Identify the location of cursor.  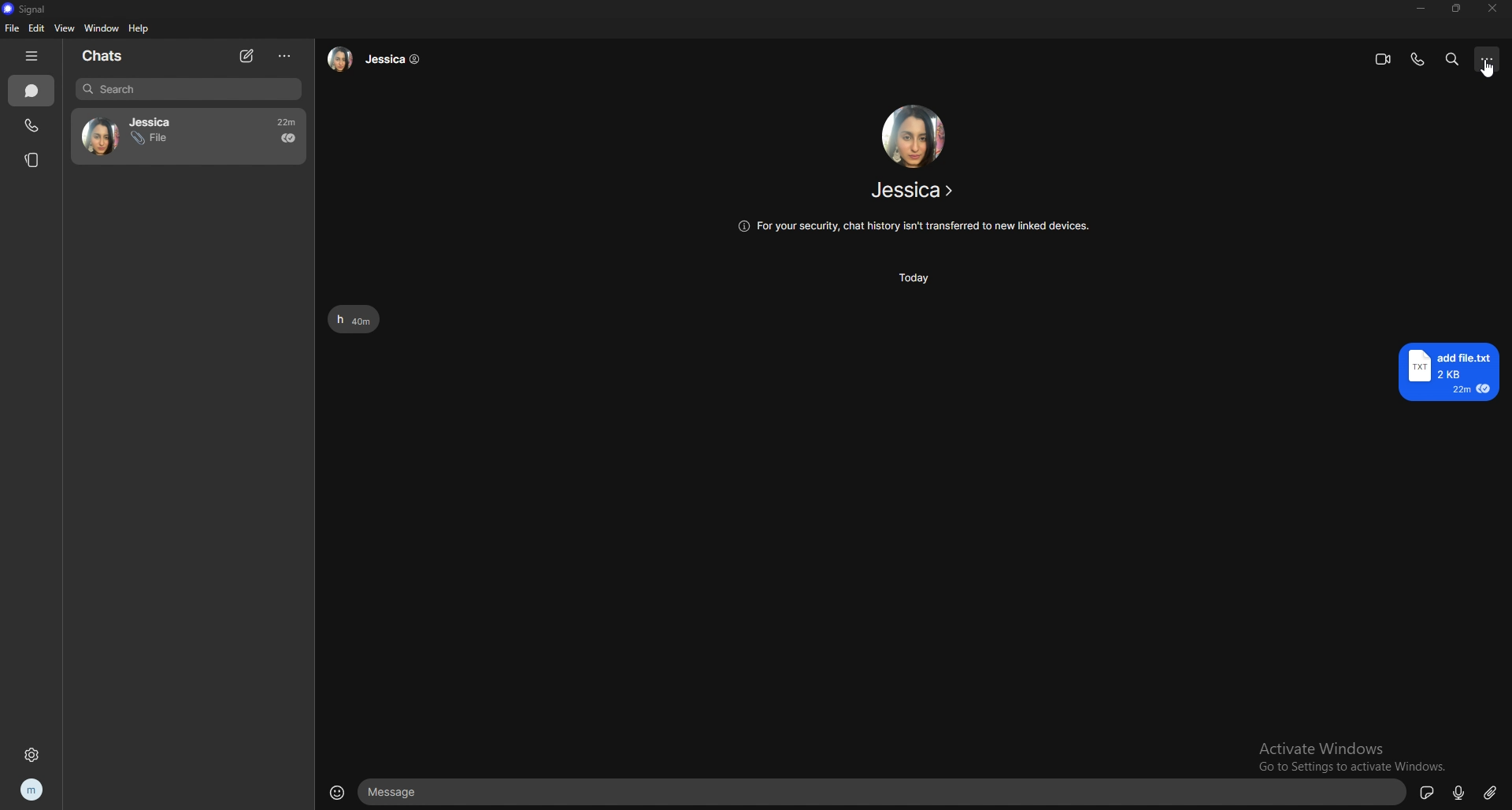
(1491, 69).